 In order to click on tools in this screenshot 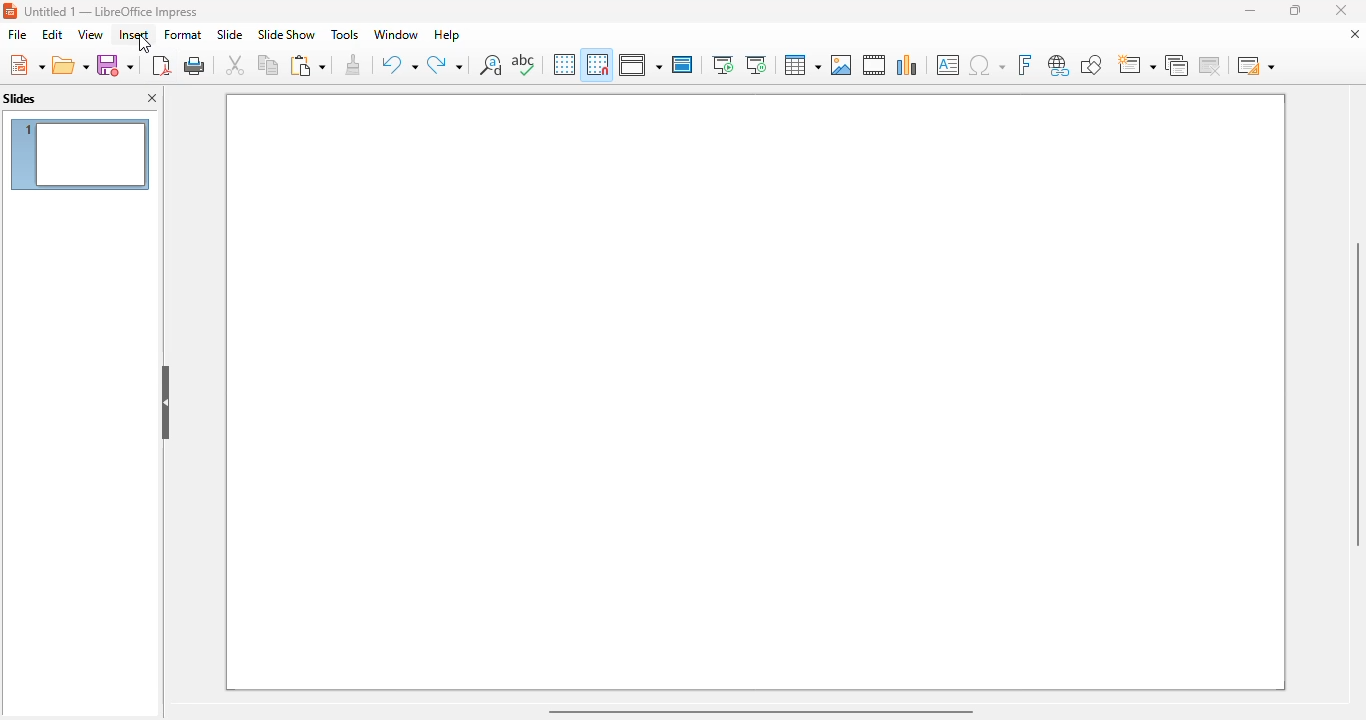, I will do `click(344, 34)`.